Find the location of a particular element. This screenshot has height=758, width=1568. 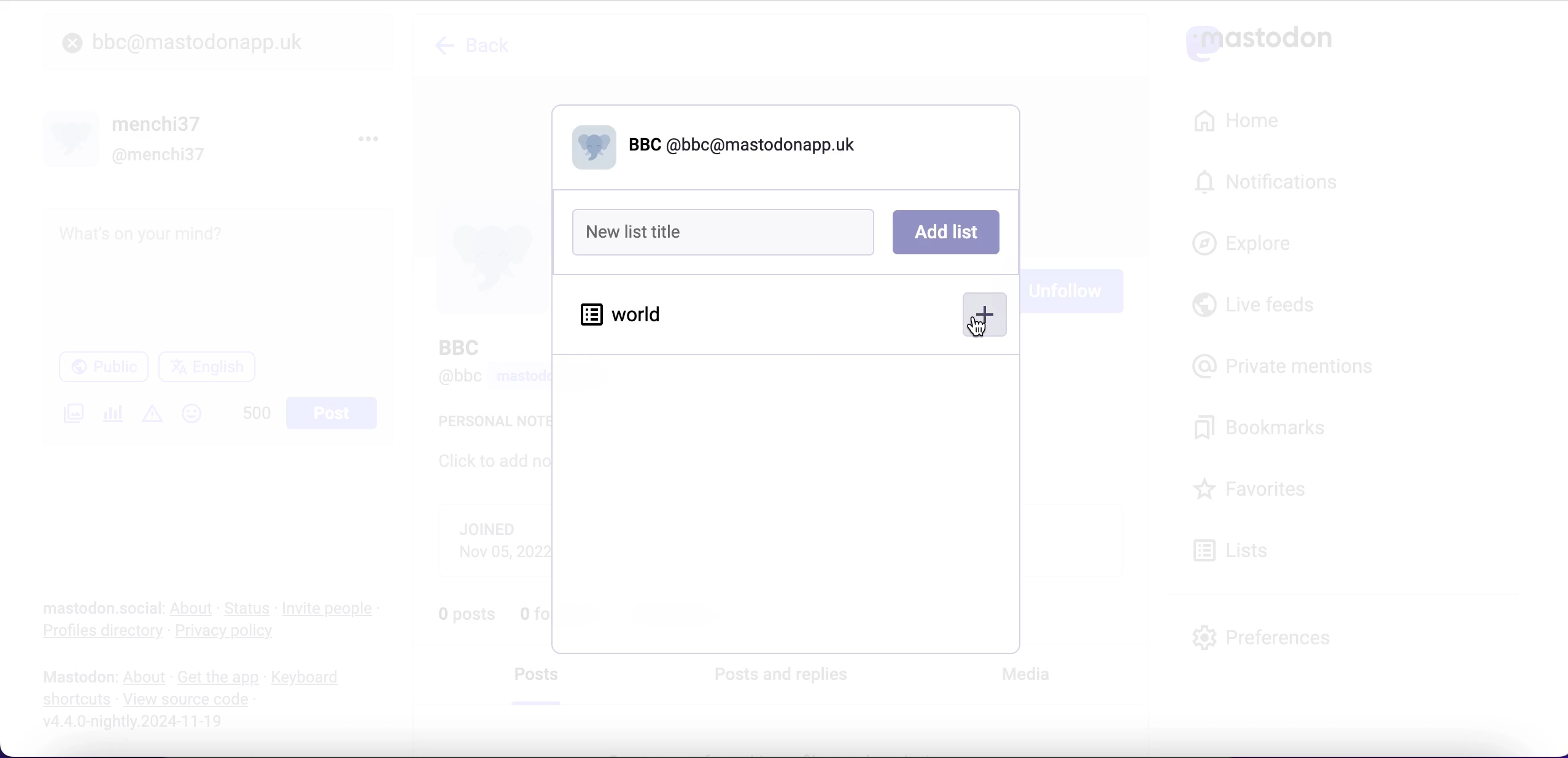

add a poll is located at coordinates (112, 418).